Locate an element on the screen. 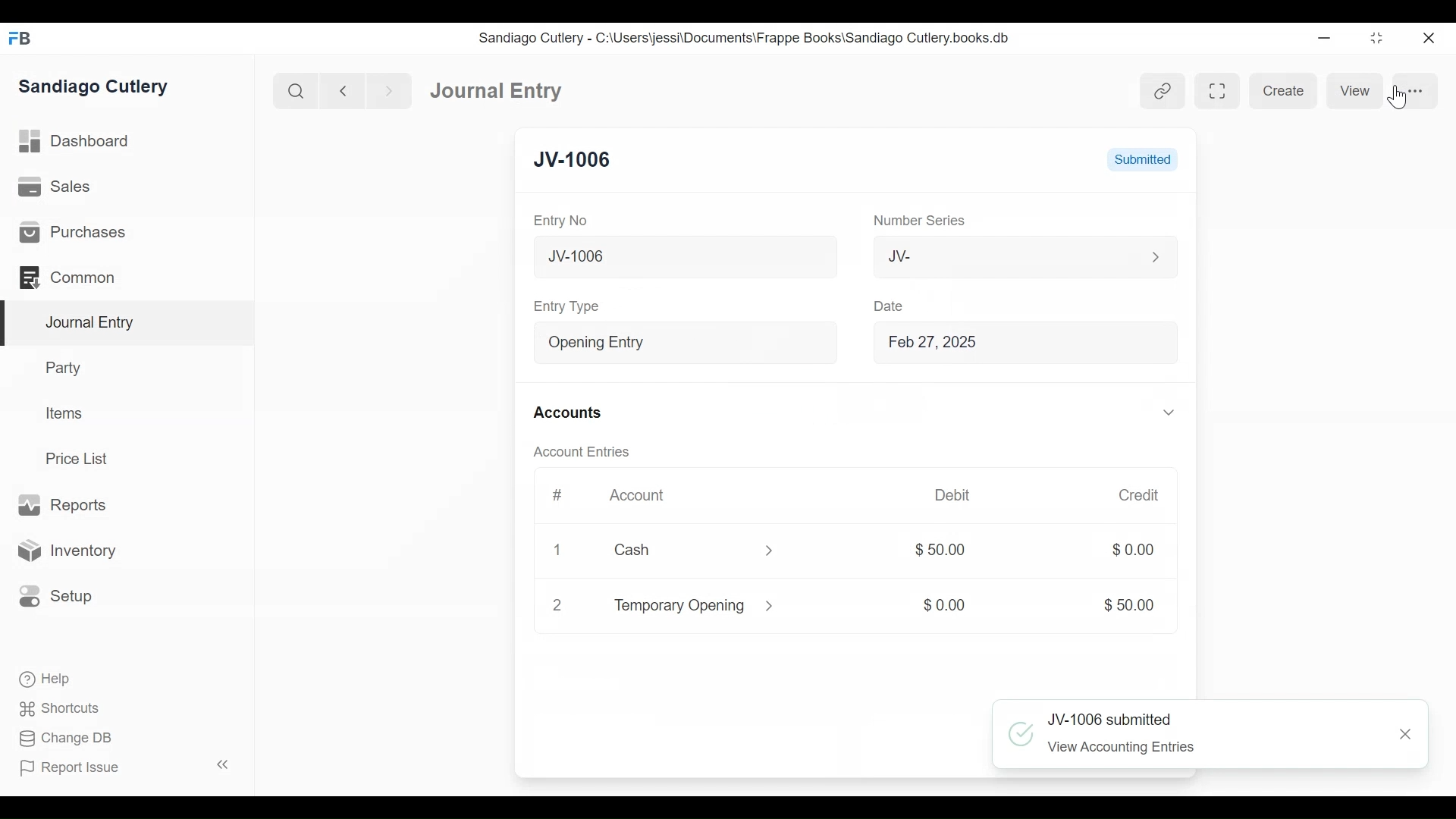 This screenshot has width=1456, height=819. Account Entries is located at coordinates (580, 452).